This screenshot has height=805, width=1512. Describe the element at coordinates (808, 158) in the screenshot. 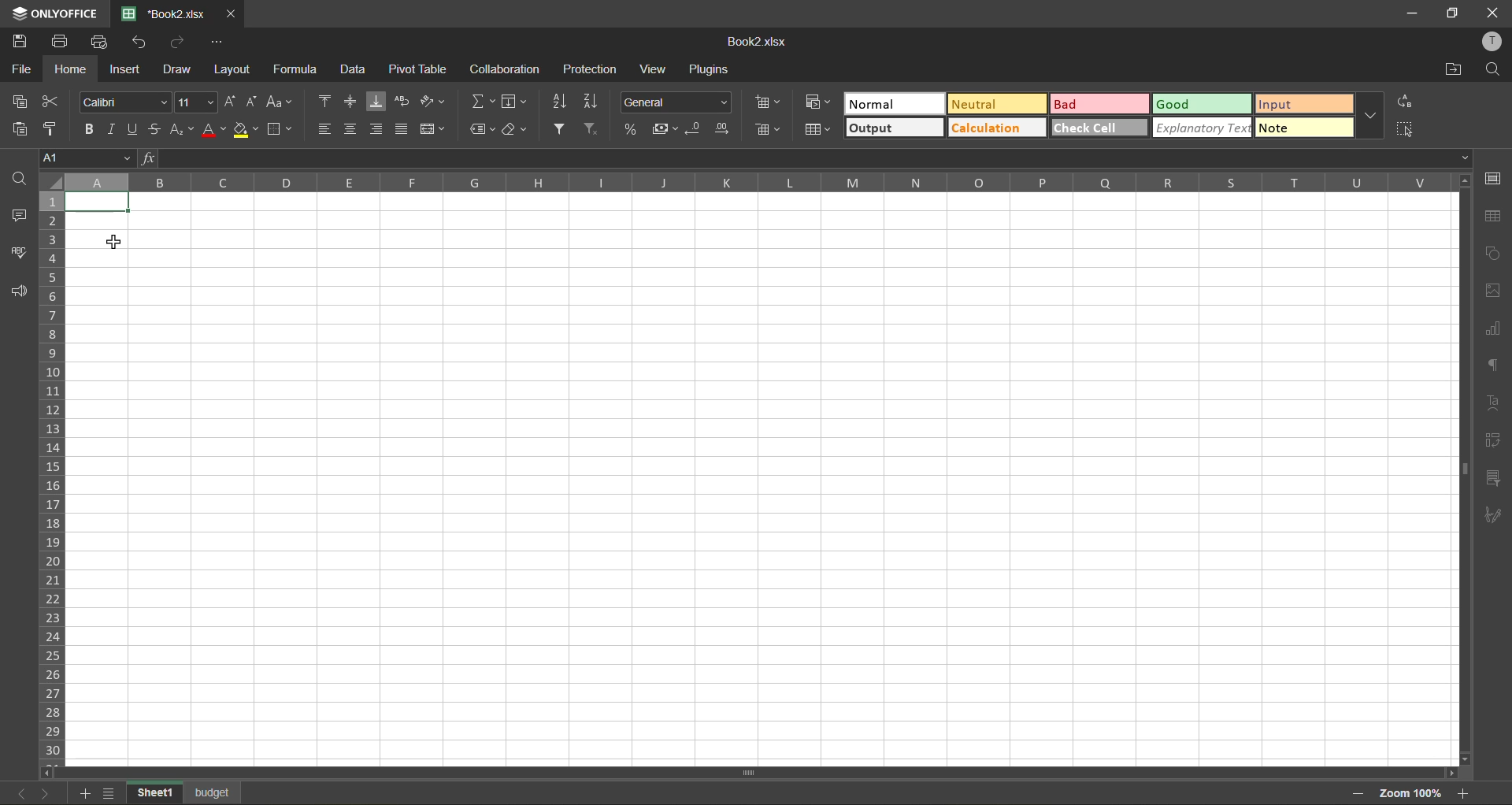

I see `formula bar` at that location.